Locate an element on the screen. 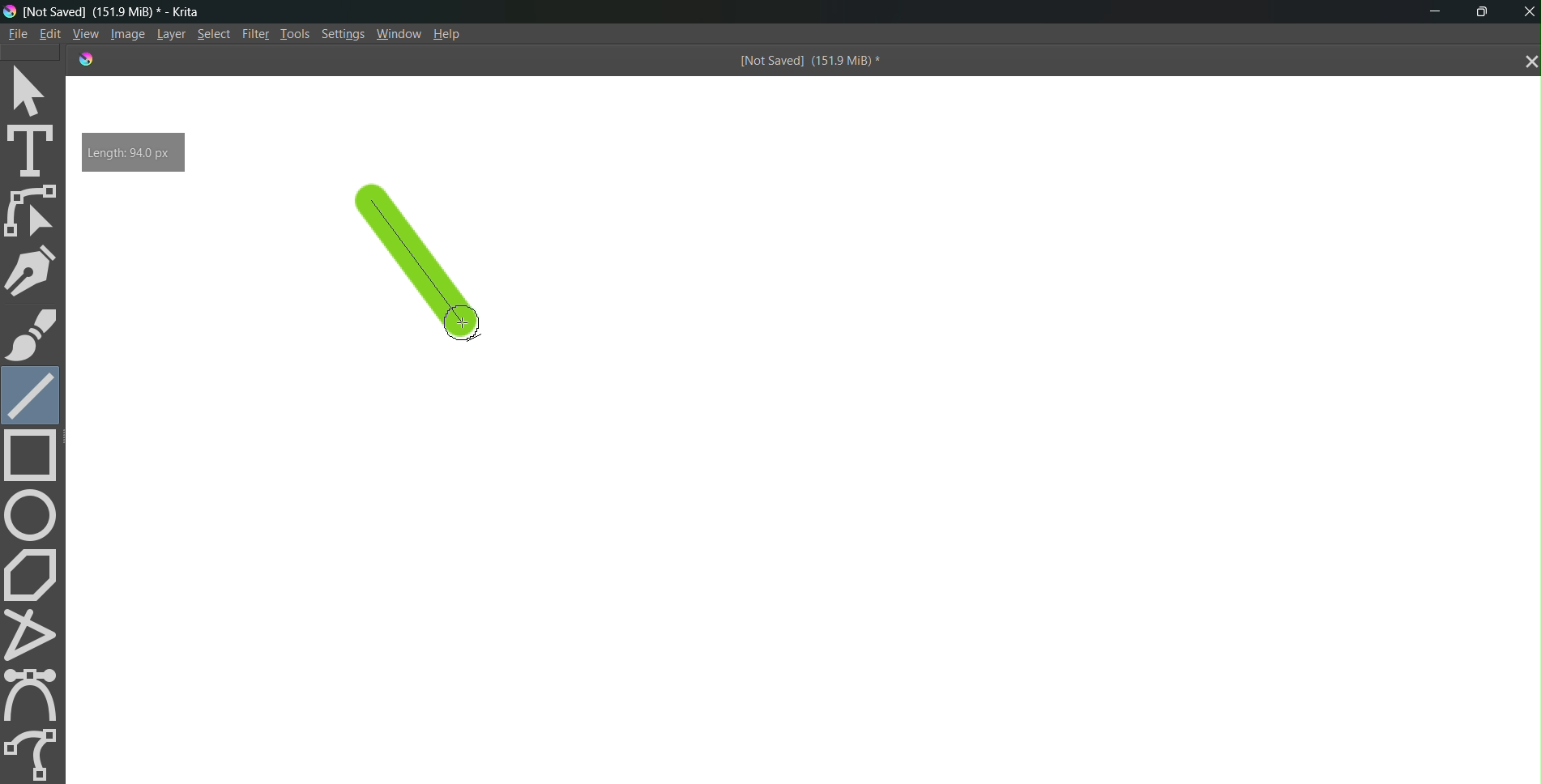 The height and width of the screenshot is (784, 1541). pen is located at coordinates (35, 271).